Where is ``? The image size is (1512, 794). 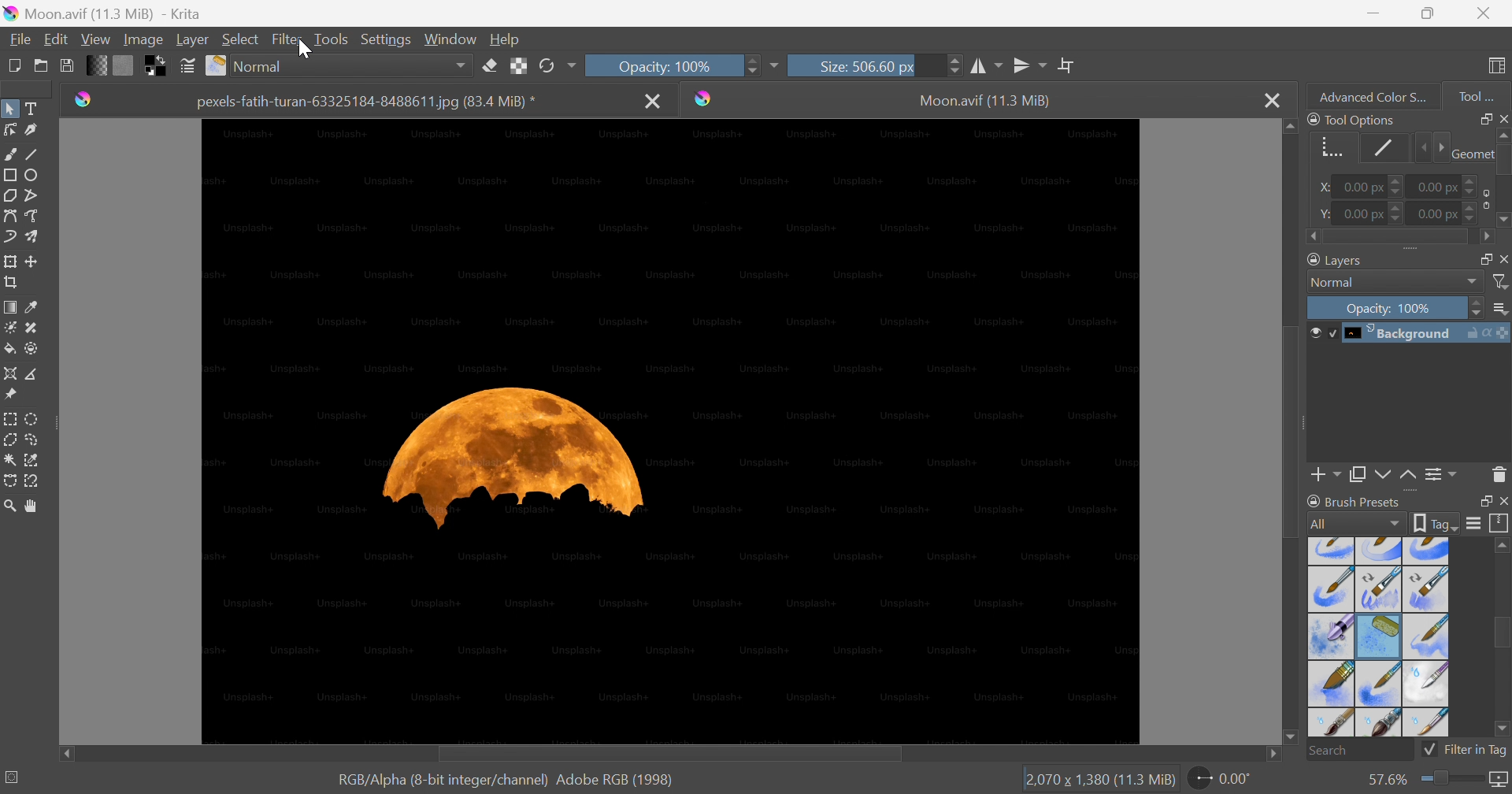
 is located at coordinates (1351, 121).